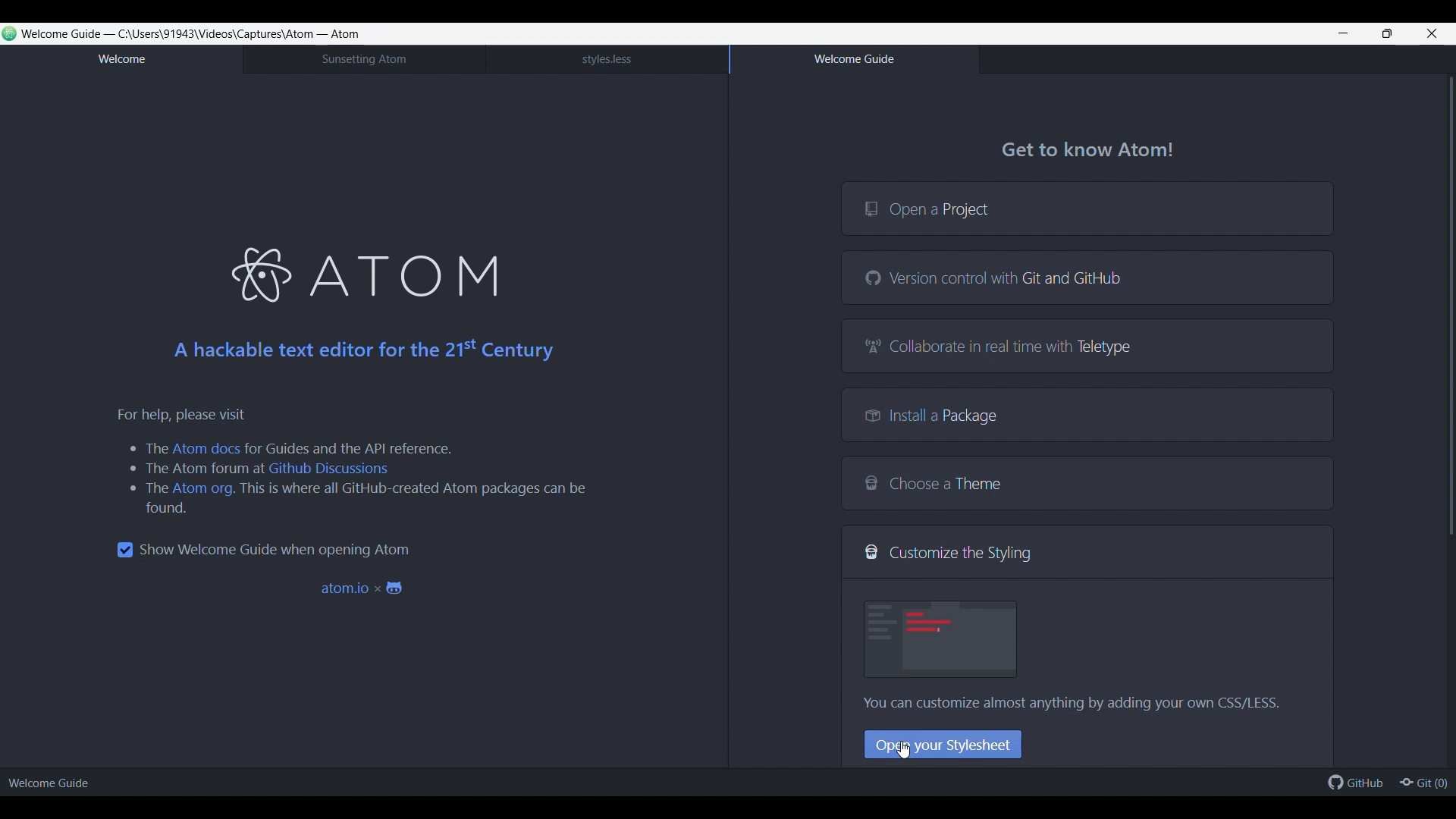 The image size is (1456, 819). I want to click on Atom org, so click(202, 488).